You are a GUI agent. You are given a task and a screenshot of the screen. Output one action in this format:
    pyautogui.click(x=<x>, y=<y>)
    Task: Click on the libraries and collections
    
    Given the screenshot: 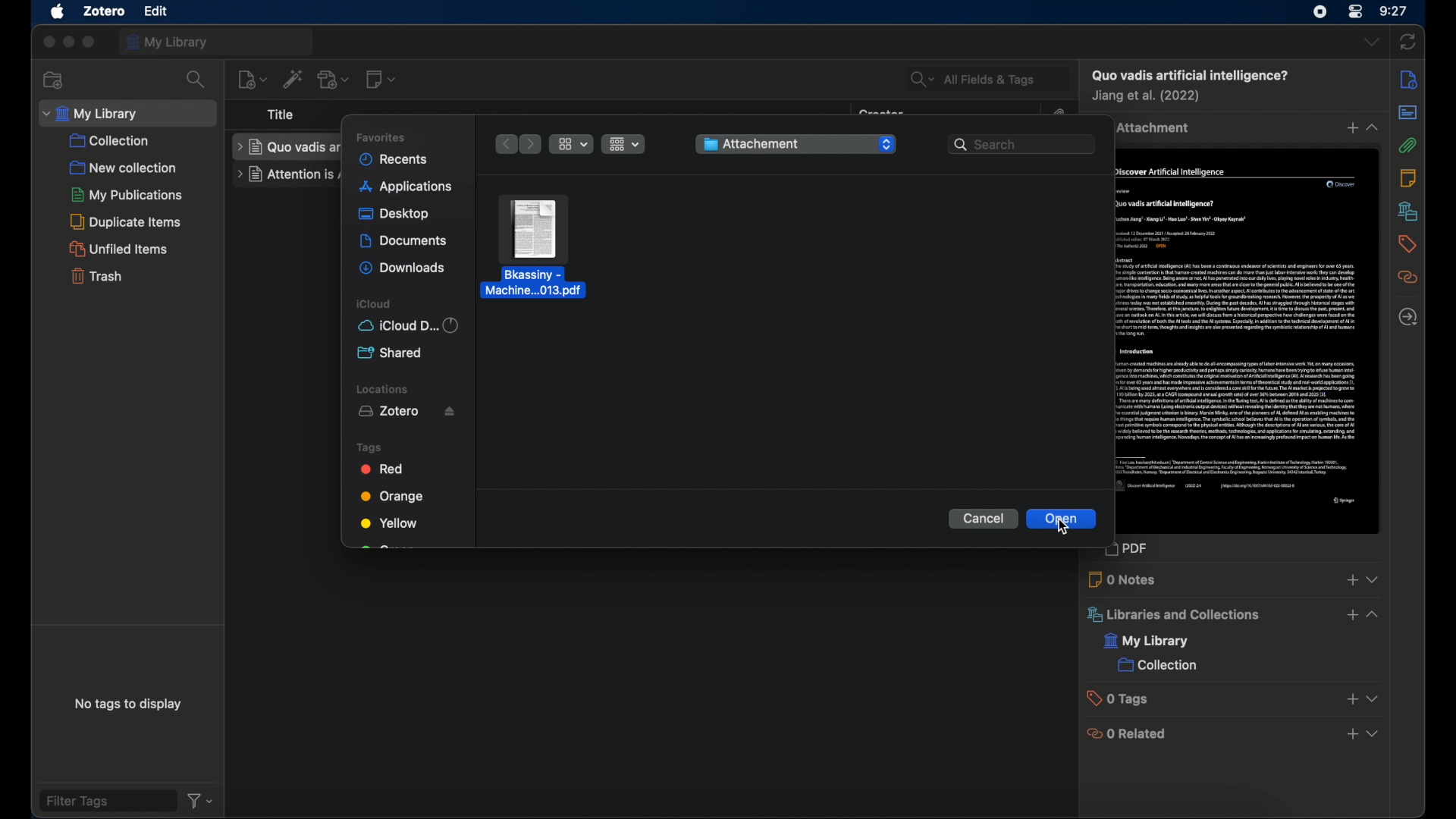 What is the action you would take?
    pyautogui.click(x=1407, y=211)
    